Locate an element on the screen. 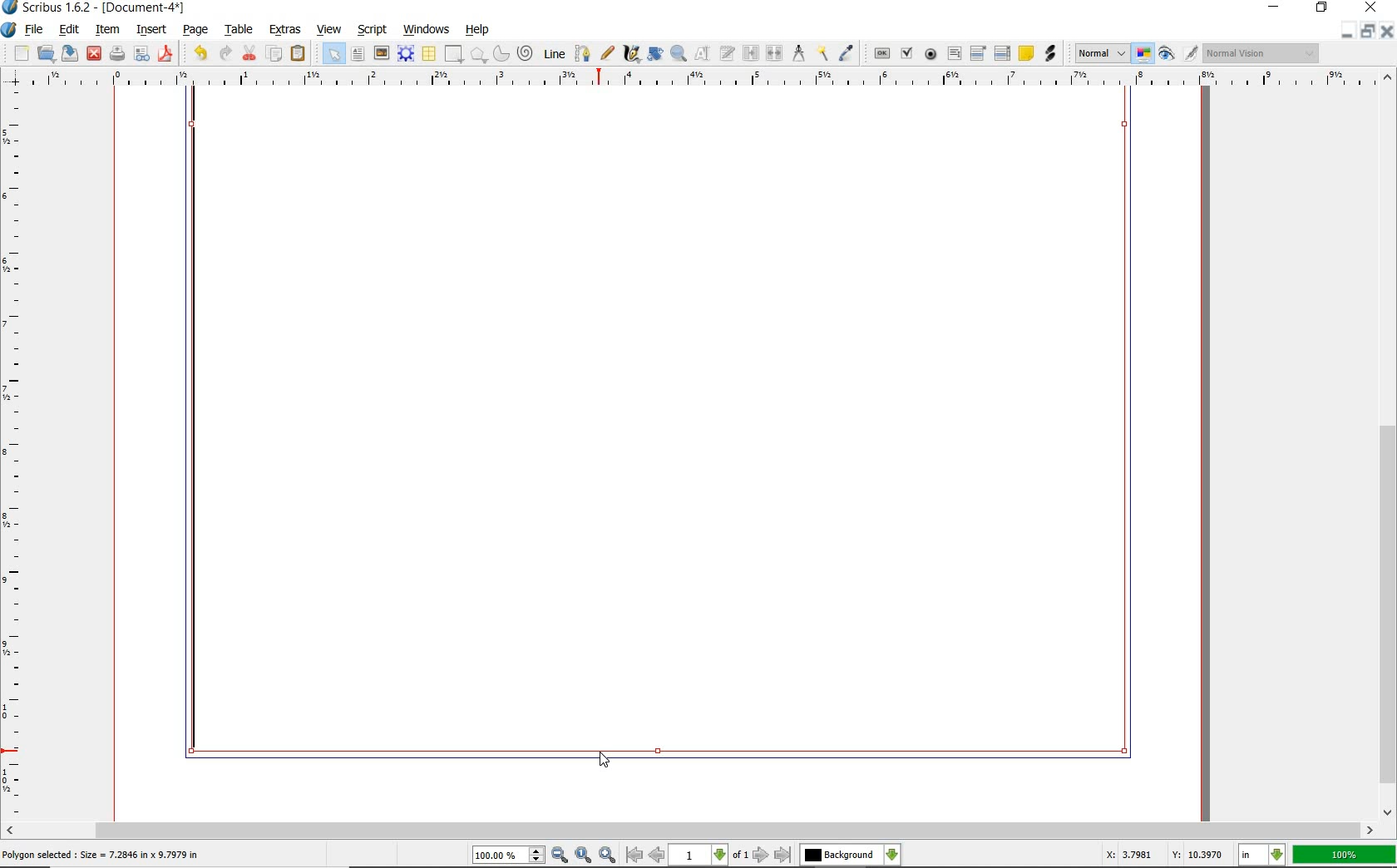 The width and height of the screenshot is (1397, 868). eye dropper is located at coordinates (847, 51).